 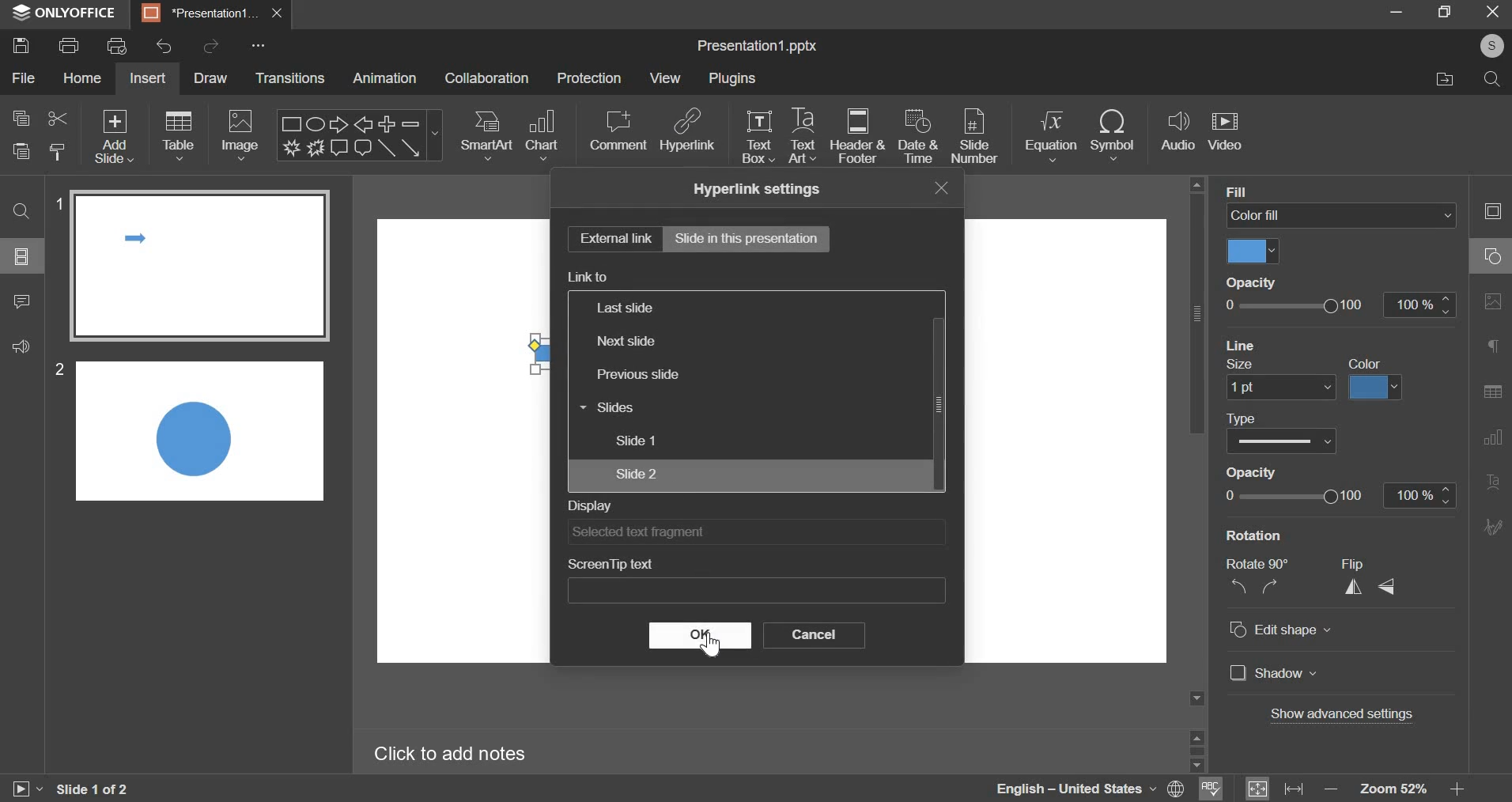 I want to click on insert symbol, so click(x=1113, y=138).